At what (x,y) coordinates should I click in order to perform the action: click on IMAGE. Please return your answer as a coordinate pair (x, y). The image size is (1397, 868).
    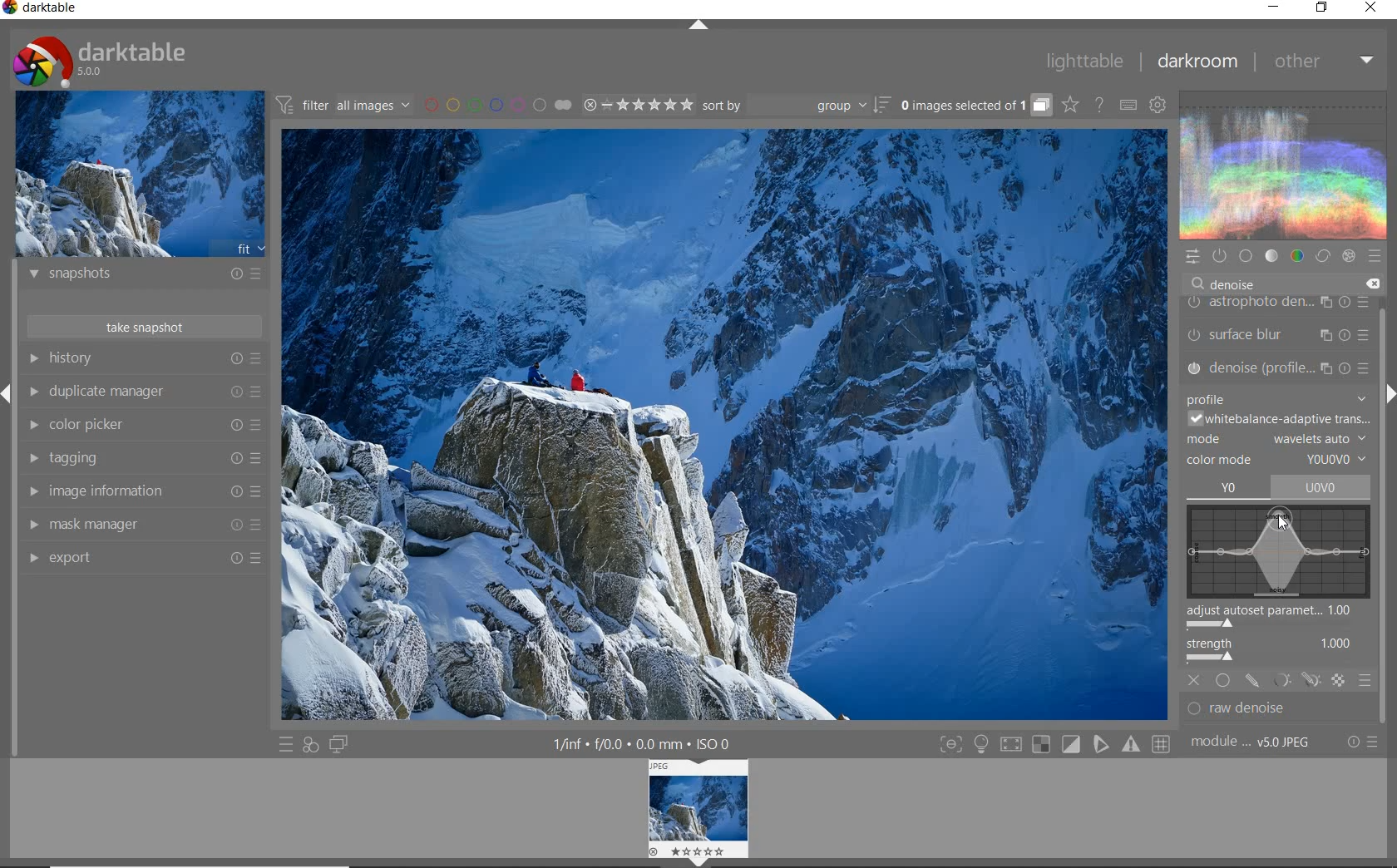
    Looking at the image, I should click on (700, 812).